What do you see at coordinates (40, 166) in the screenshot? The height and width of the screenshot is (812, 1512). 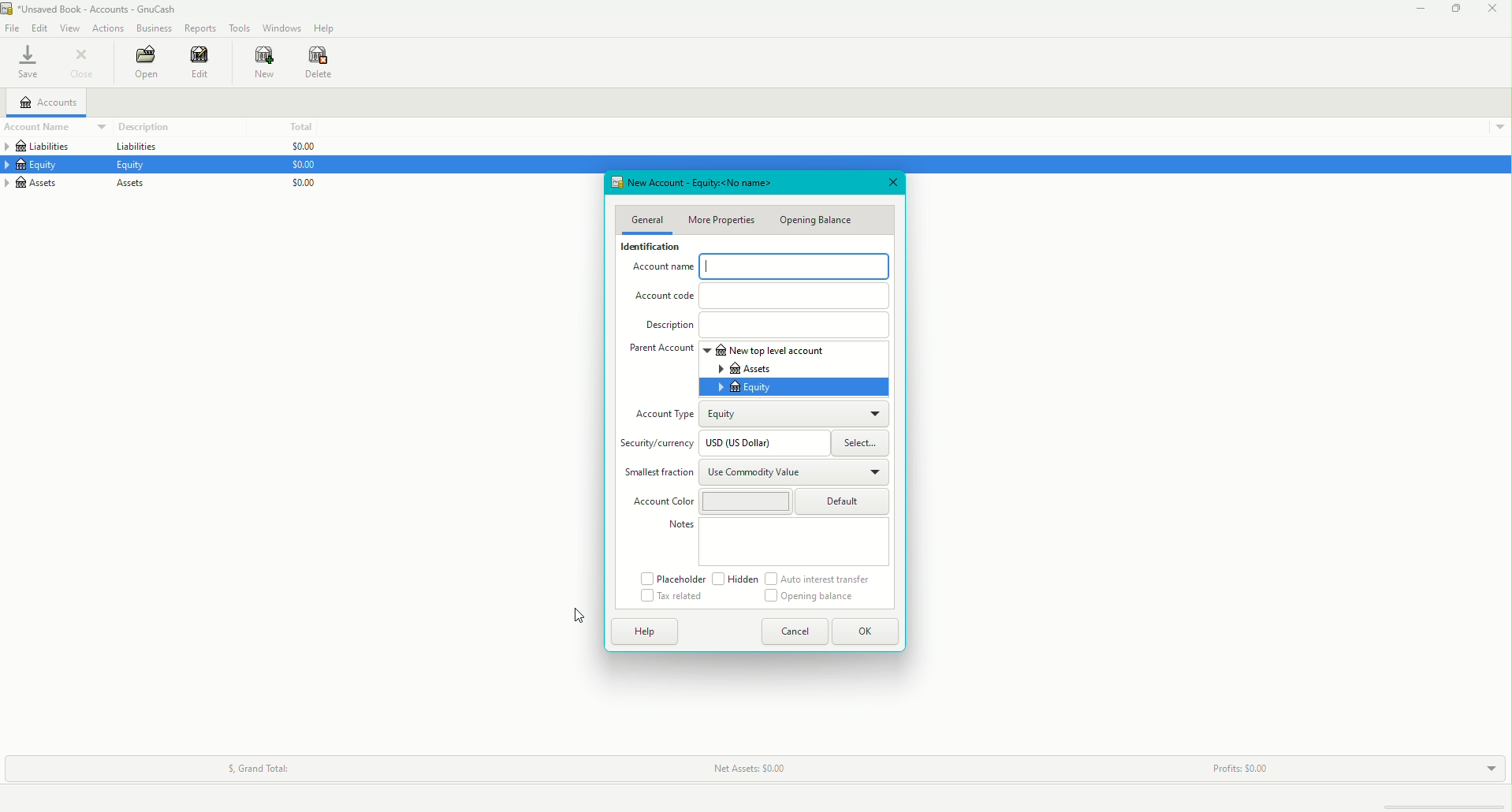 I see `Equity` at bounding box center [40, 166].